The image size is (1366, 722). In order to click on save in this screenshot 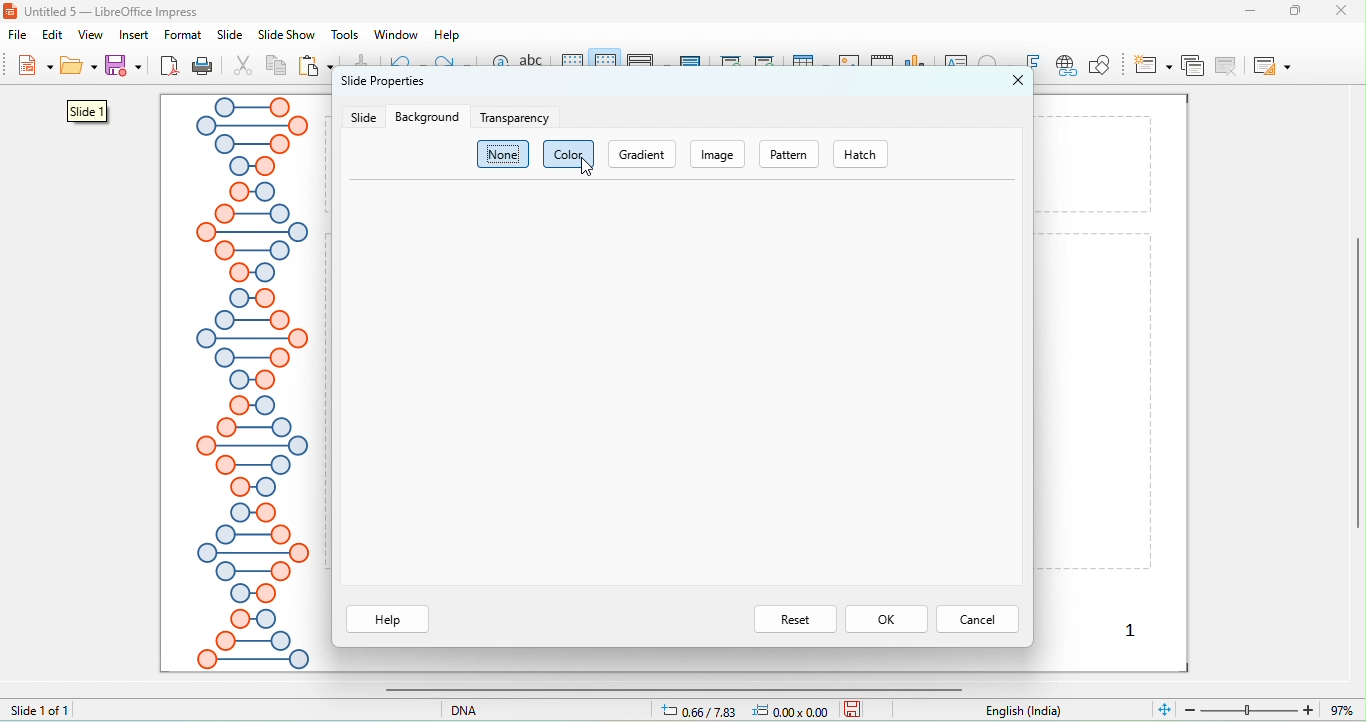, I will do `click(126, 65)`.